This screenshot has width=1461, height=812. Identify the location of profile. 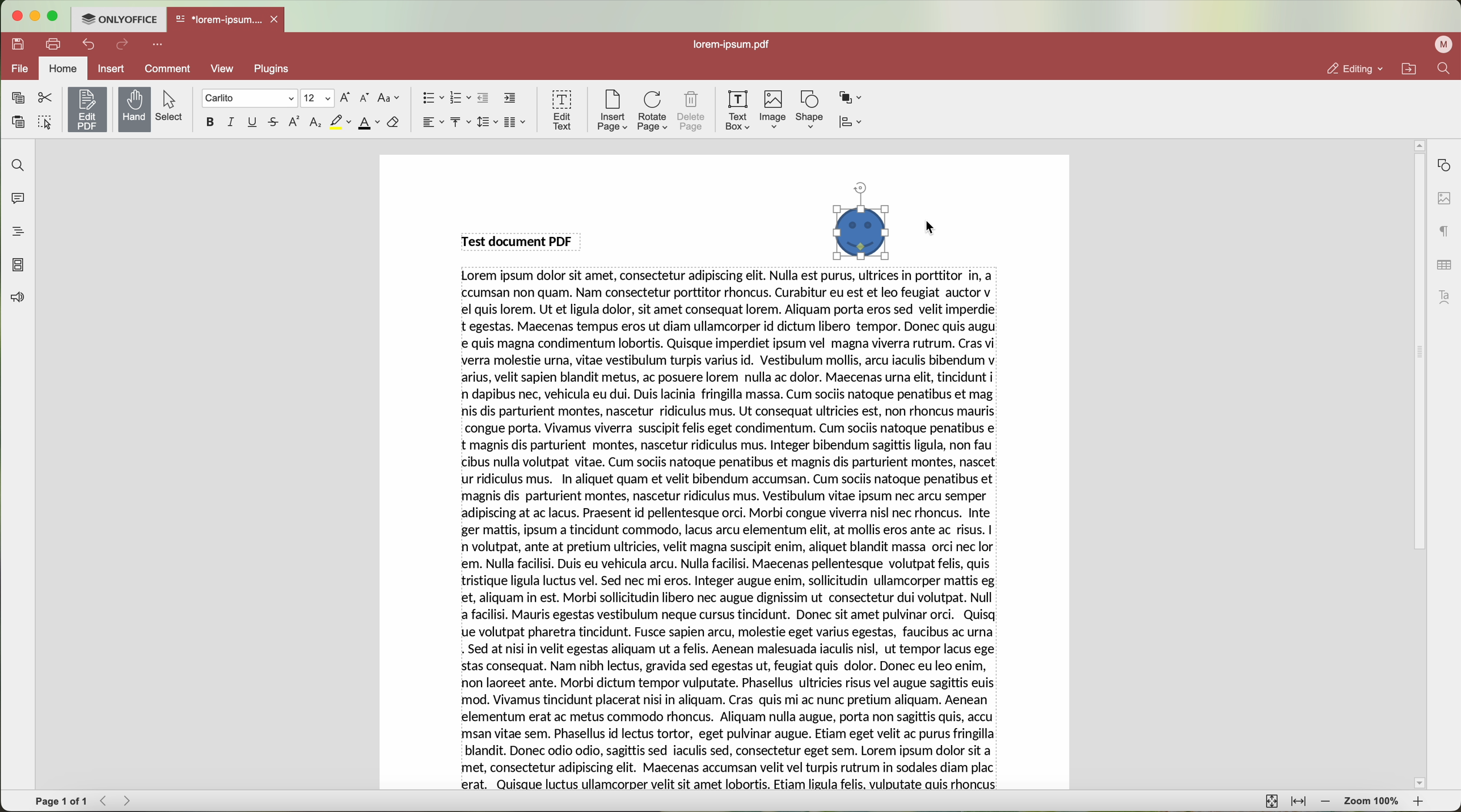
(1441, 45).